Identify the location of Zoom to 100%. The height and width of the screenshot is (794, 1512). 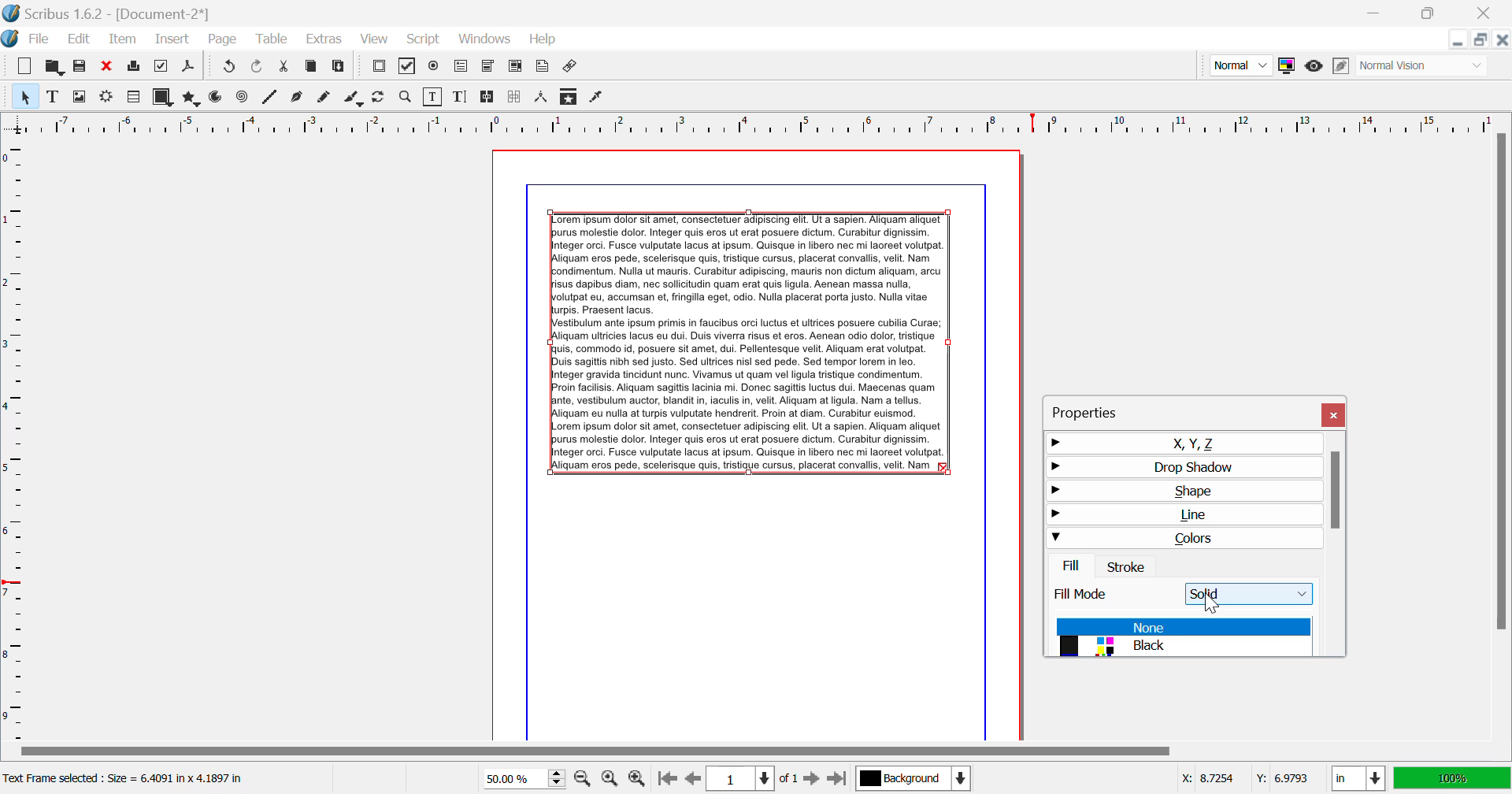
(610, 778).